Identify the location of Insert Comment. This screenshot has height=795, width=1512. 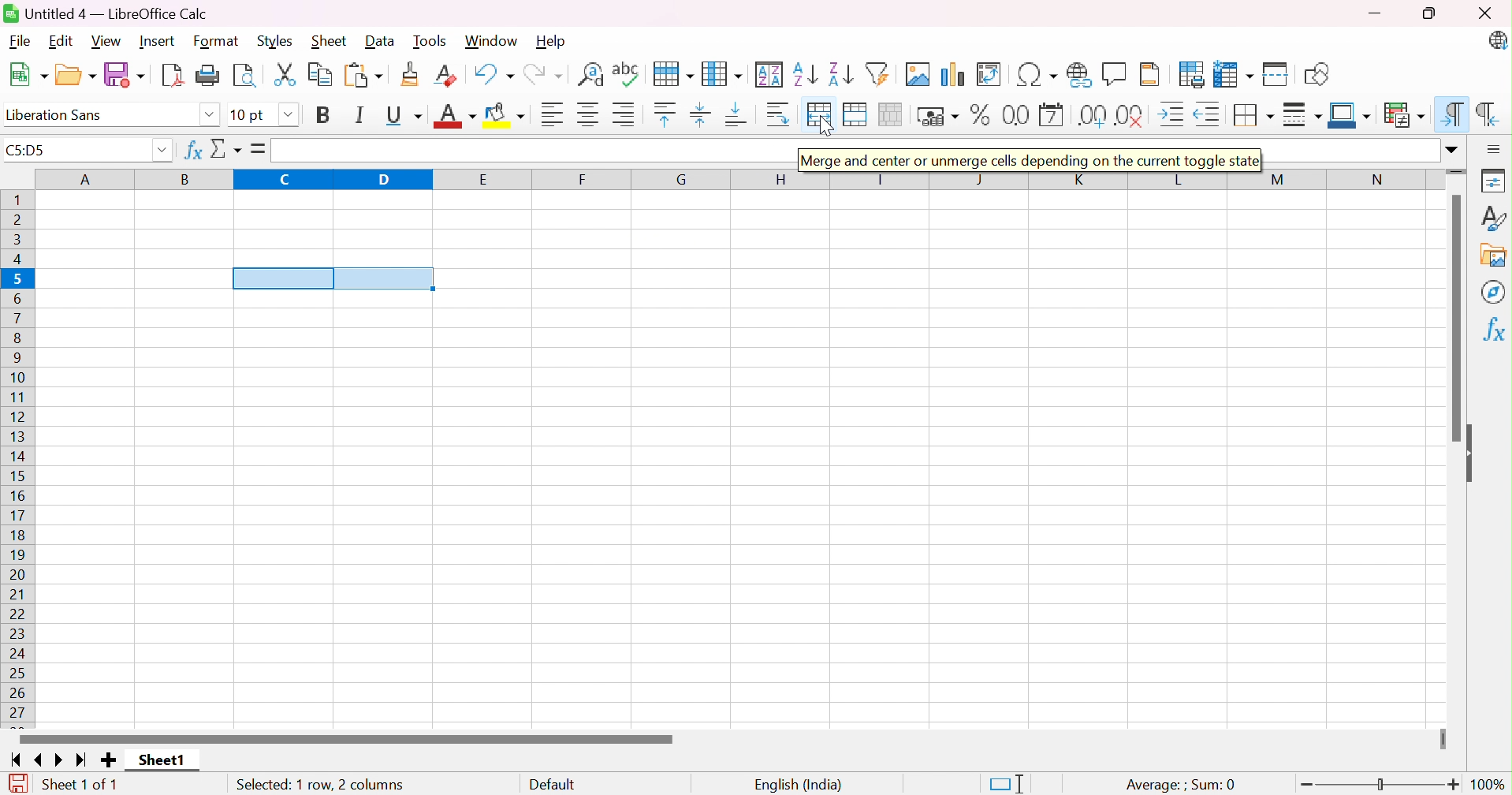
(1115, 73).